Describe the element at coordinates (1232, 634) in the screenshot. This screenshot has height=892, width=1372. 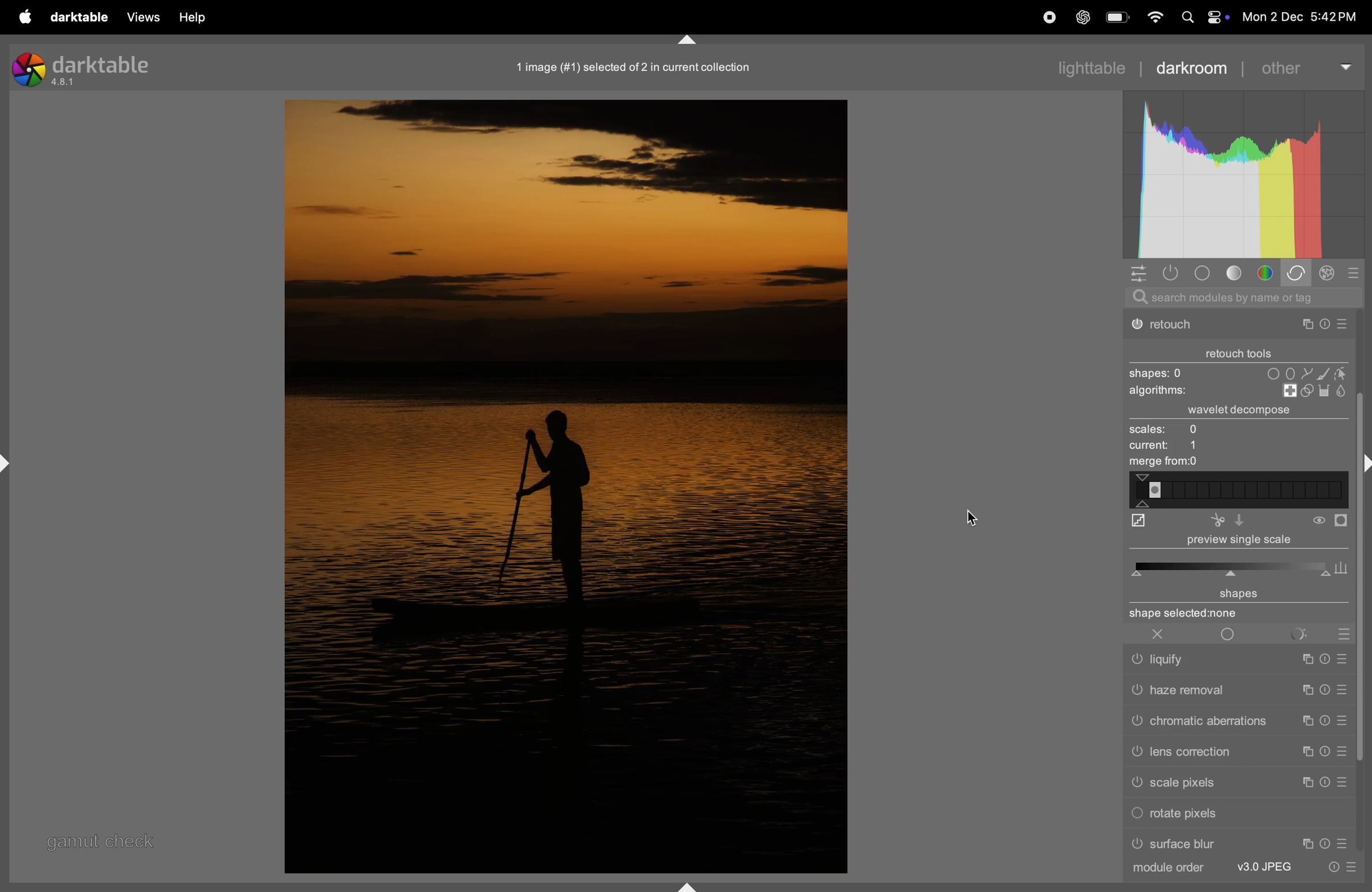
I see `uniformly` at that location.